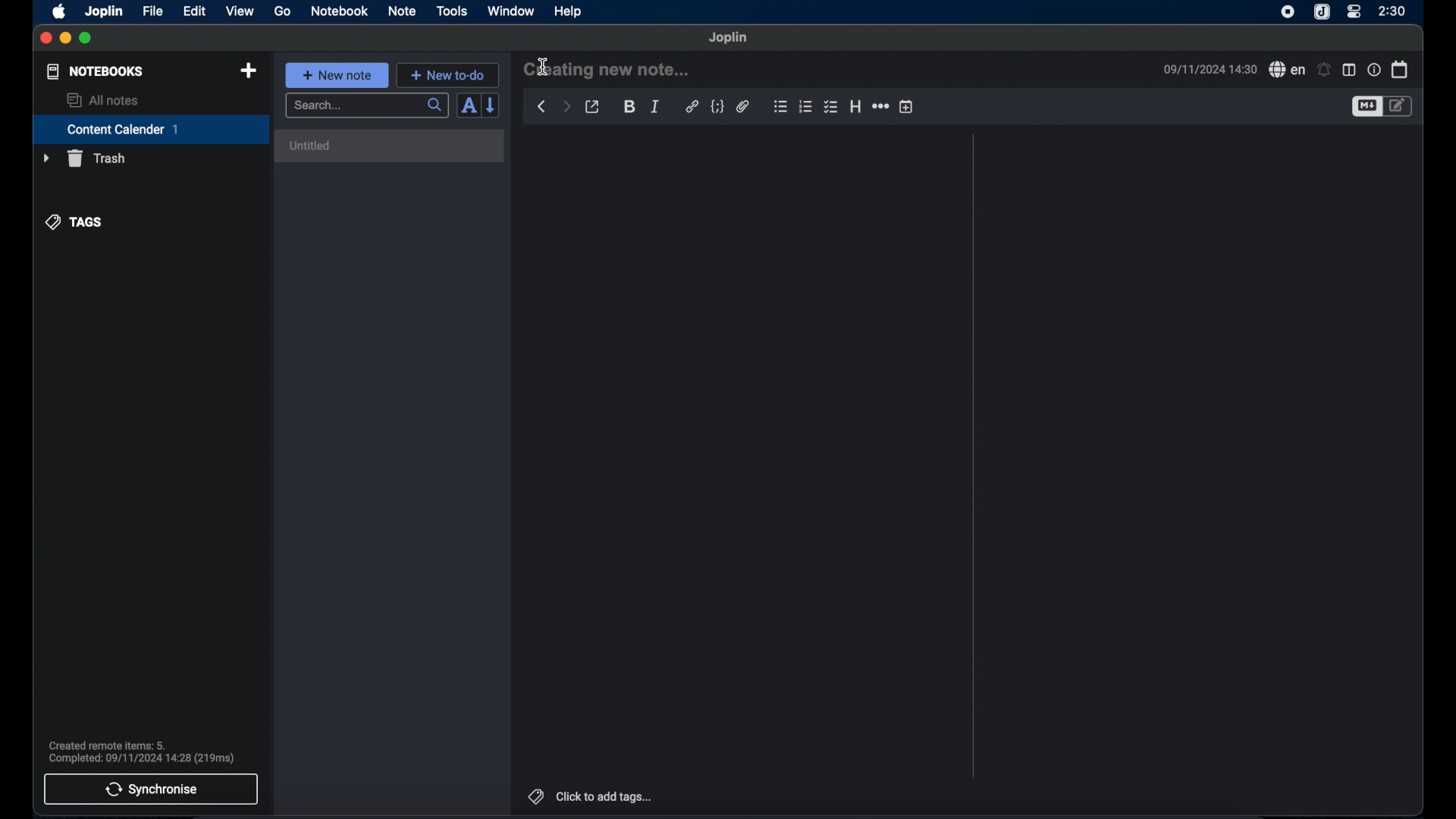 The width and height of the screenshot is (1456, 819). I want to click on back, so click(542, 107).